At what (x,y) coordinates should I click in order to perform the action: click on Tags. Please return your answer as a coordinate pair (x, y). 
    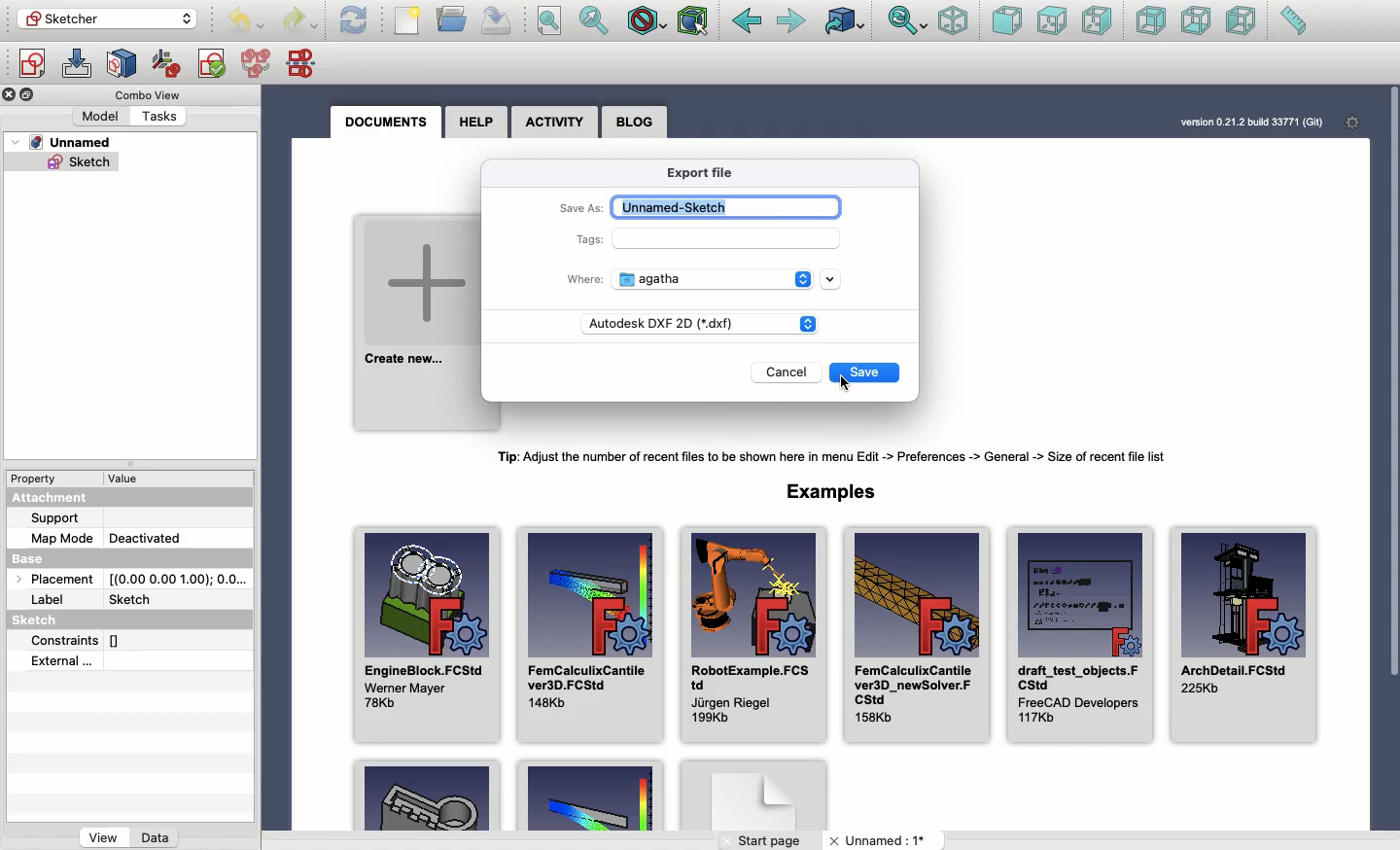
    Looking at the image, I should click on (591, 242).